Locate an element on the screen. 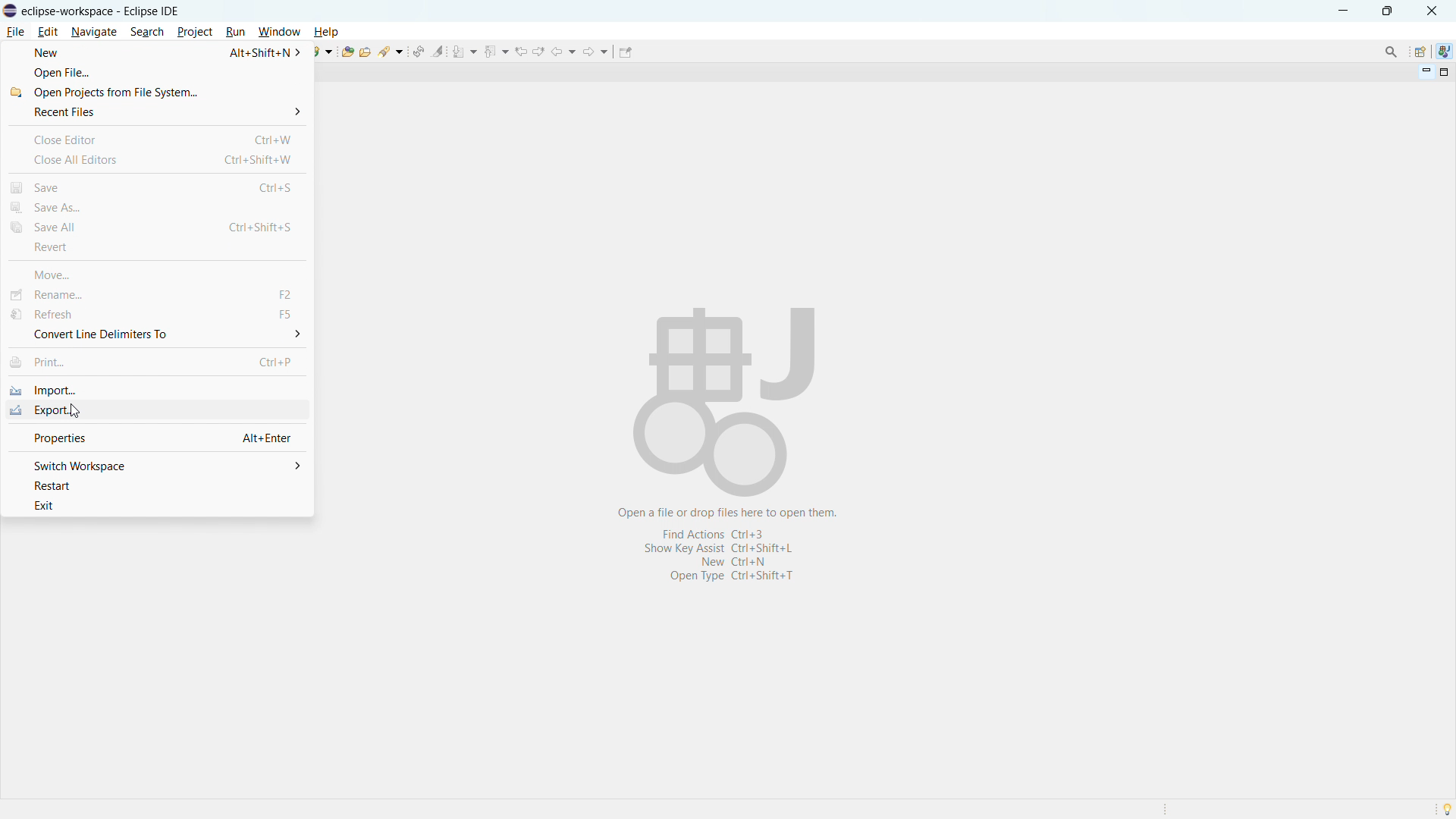  revert is located at coordinates (156, 248).